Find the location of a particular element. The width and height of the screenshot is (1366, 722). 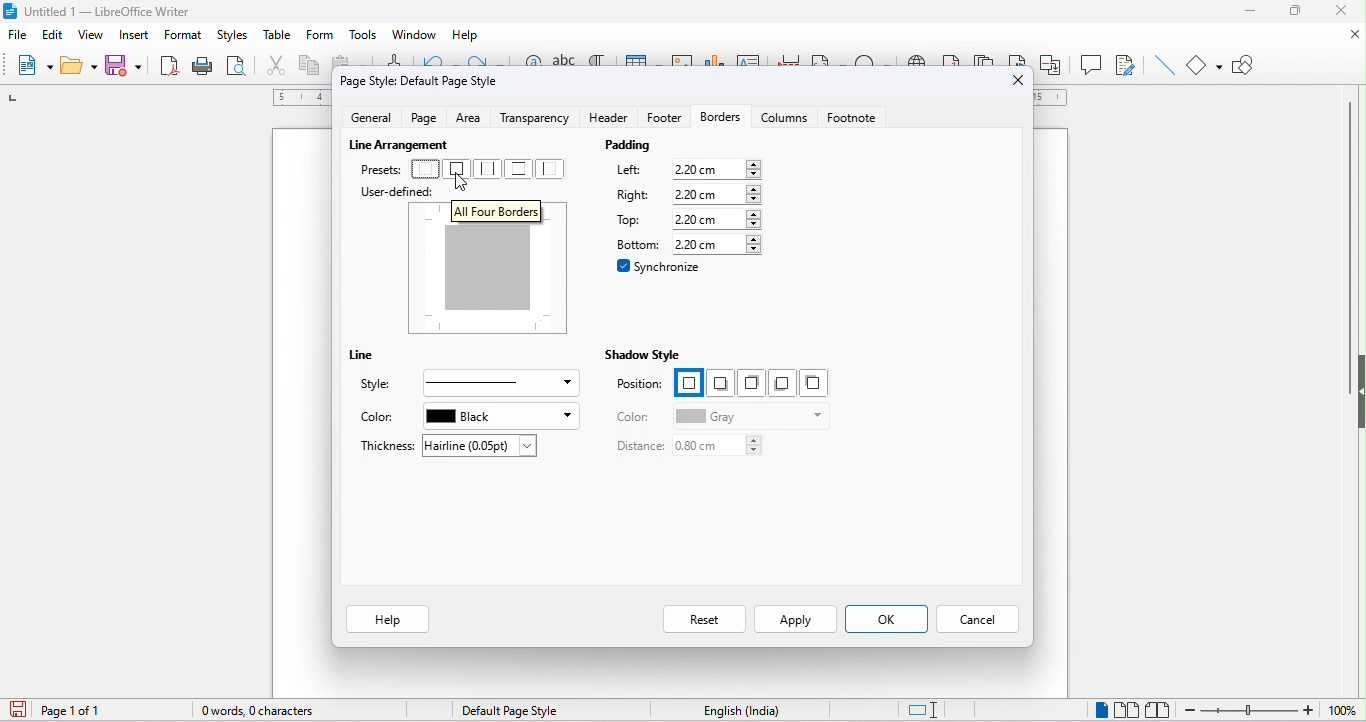

header is located at coordinates (607, 120).